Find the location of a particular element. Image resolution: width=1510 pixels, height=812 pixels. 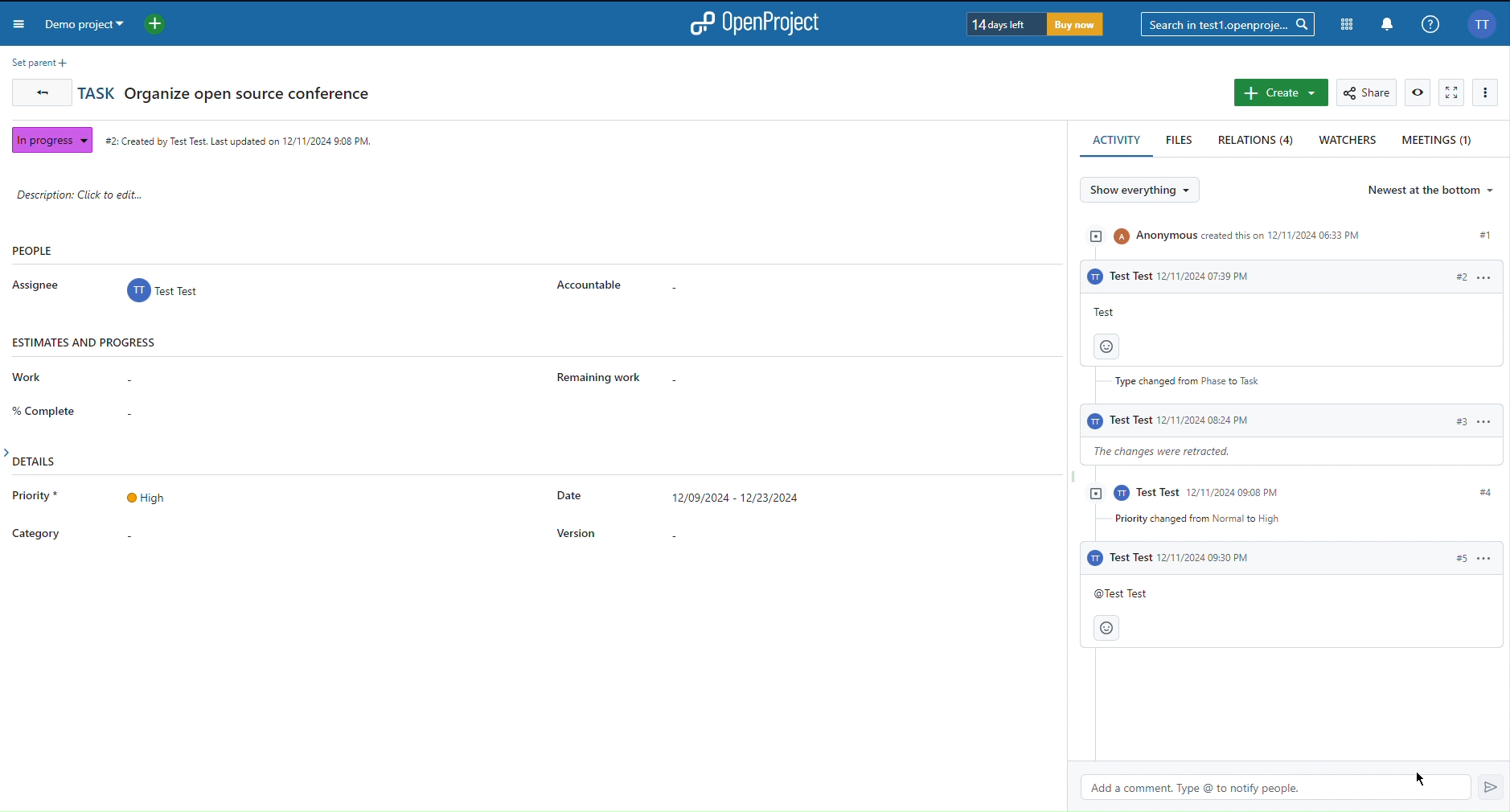

Details is located at coordinates (446, 511).